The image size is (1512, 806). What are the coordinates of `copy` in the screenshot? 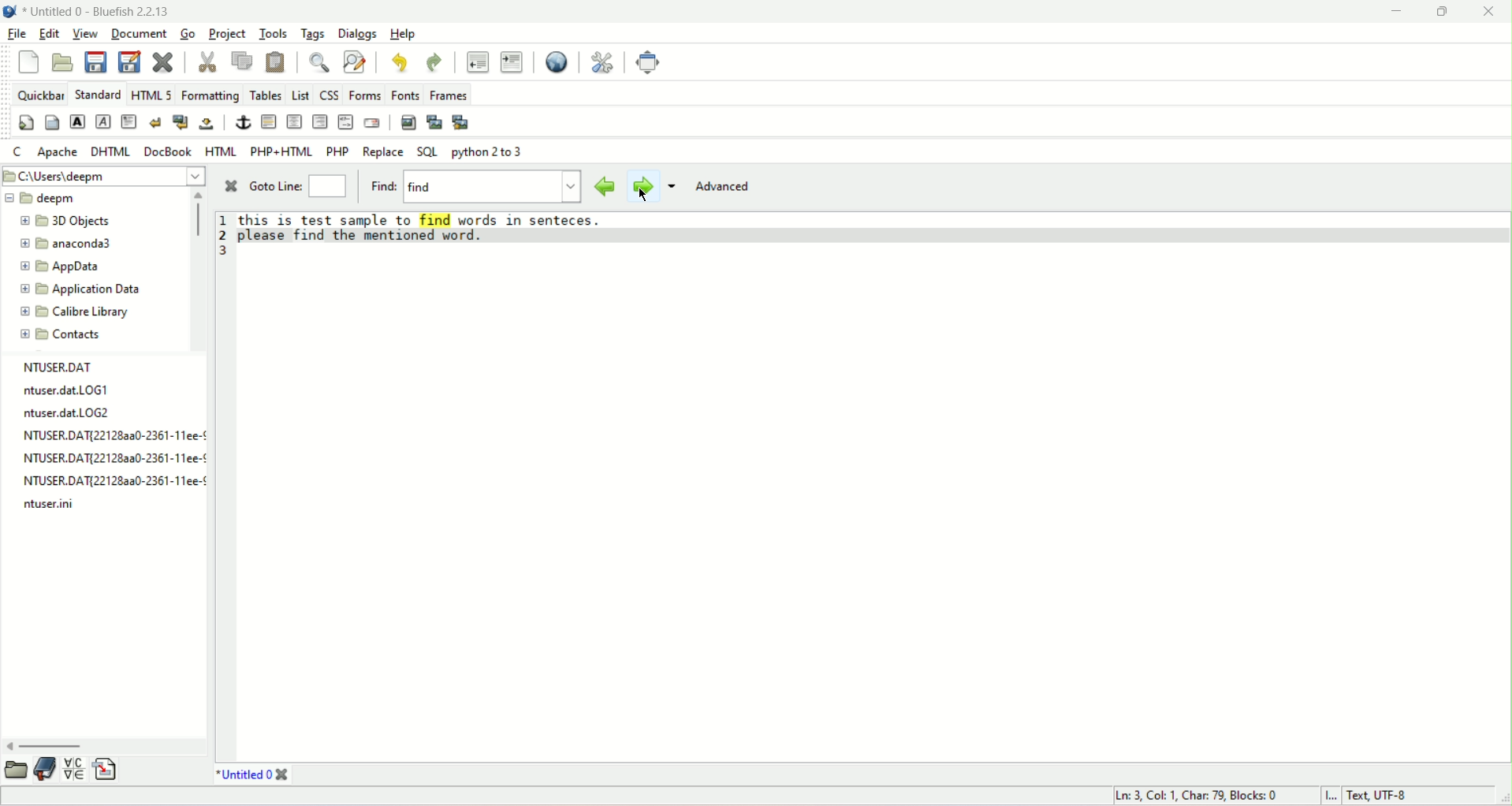 It's located at (244, 60).